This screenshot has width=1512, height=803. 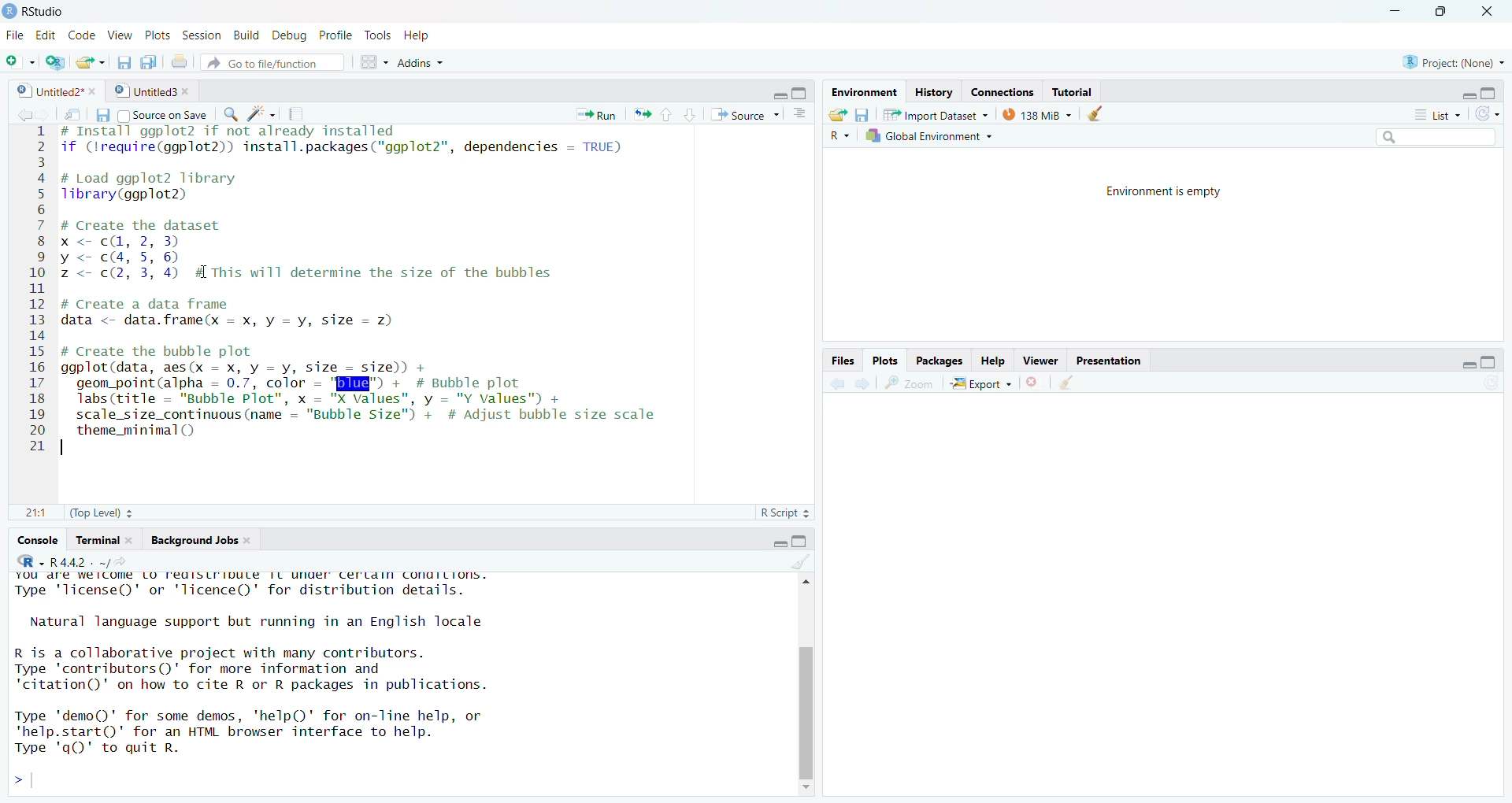 What do you see at coordinates (985, 383) in the screenshot?
I see `~& Export +` at bounding box center [985, 383].